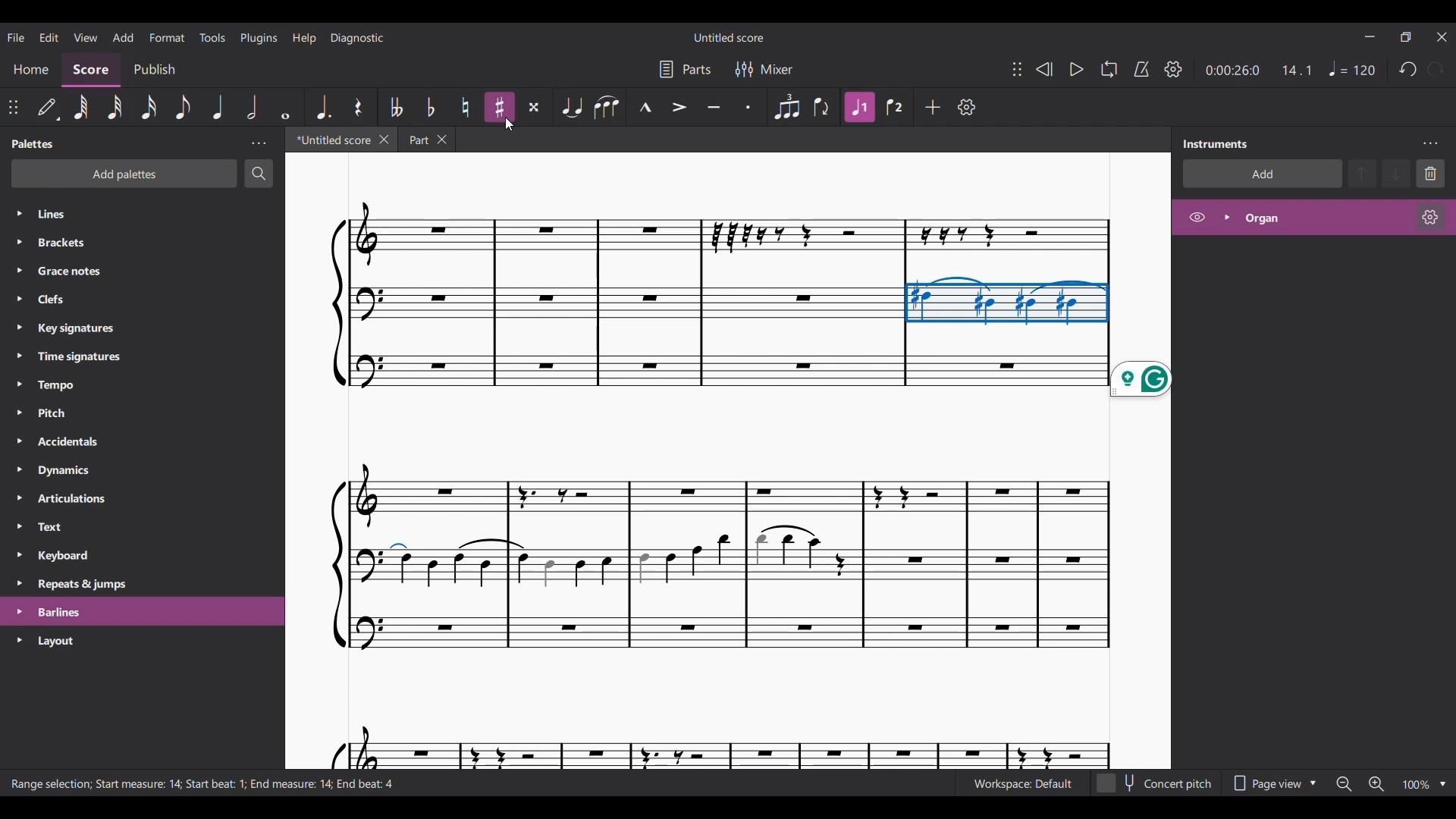 The image size is (1456, 819). I want to click on Playback settings, so click(1173, 68).